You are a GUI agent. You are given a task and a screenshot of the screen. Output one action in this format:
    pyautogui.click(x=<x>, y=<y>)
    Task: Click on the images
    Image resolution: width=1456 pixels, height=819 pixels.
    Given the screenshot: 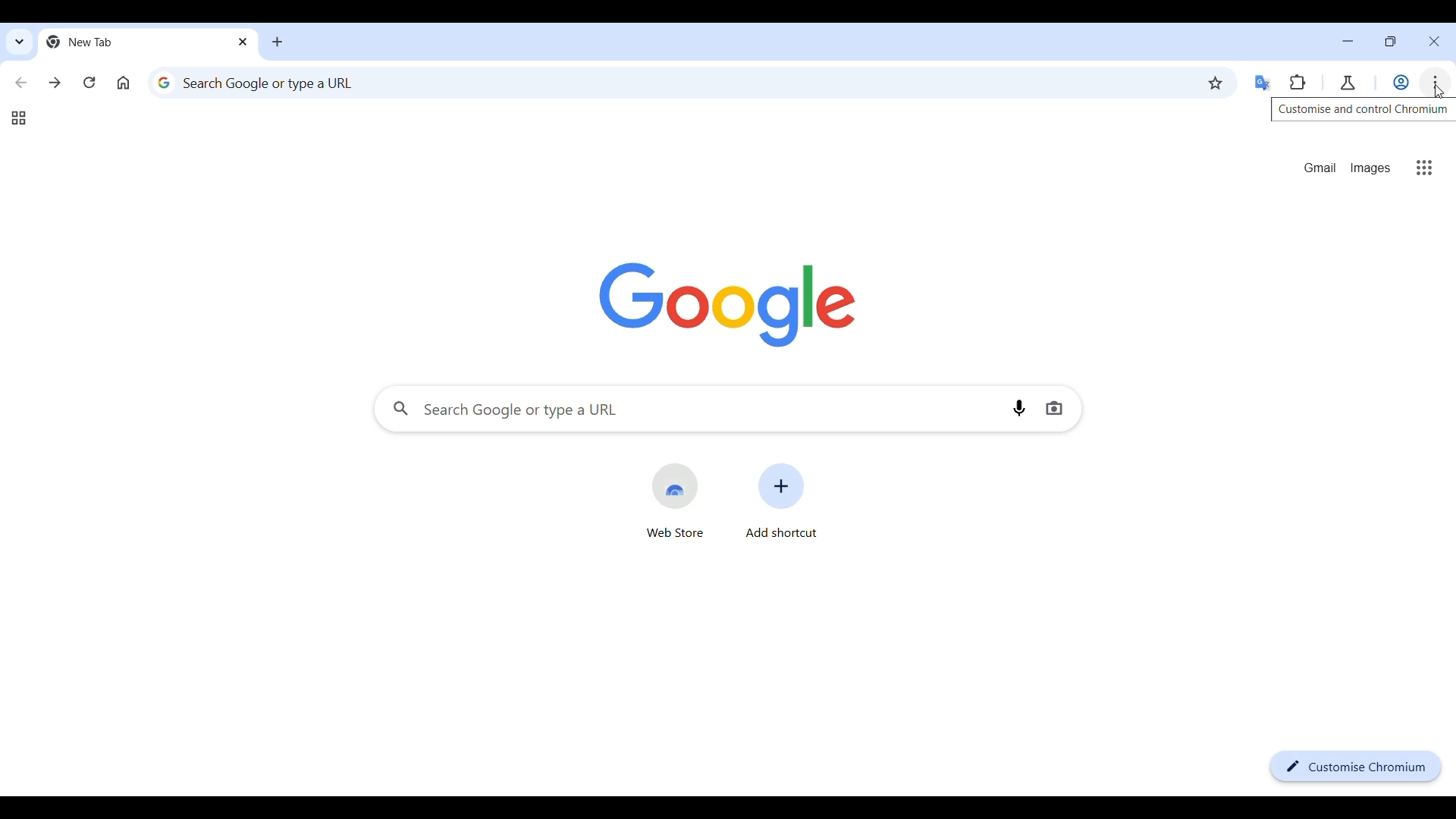 What is the action you would take?
    pyautogui.click(x=1370, y=168)
    